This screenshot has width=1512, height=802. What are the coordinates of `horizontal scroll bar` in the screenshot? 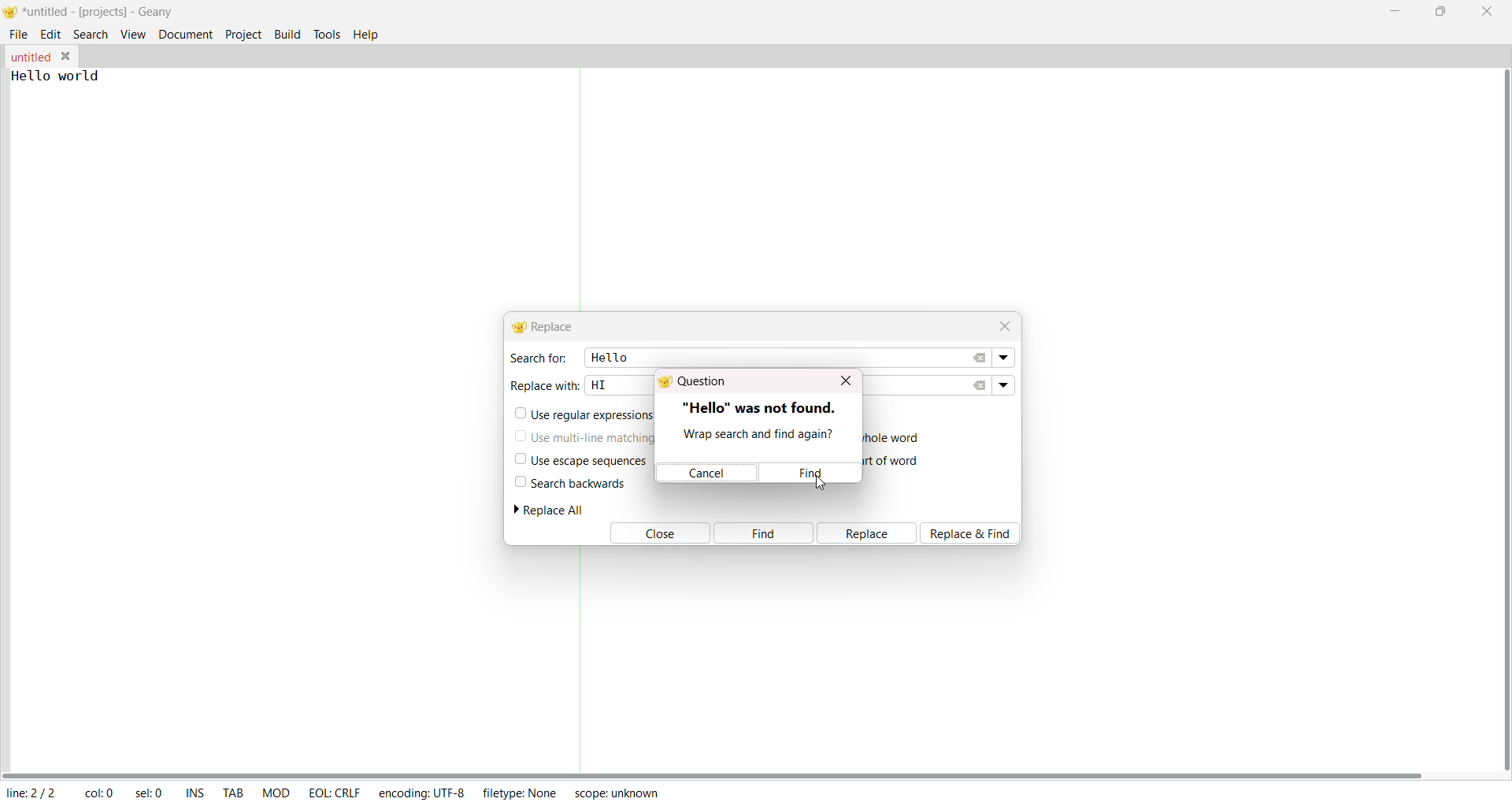 It's located at (715, 774).